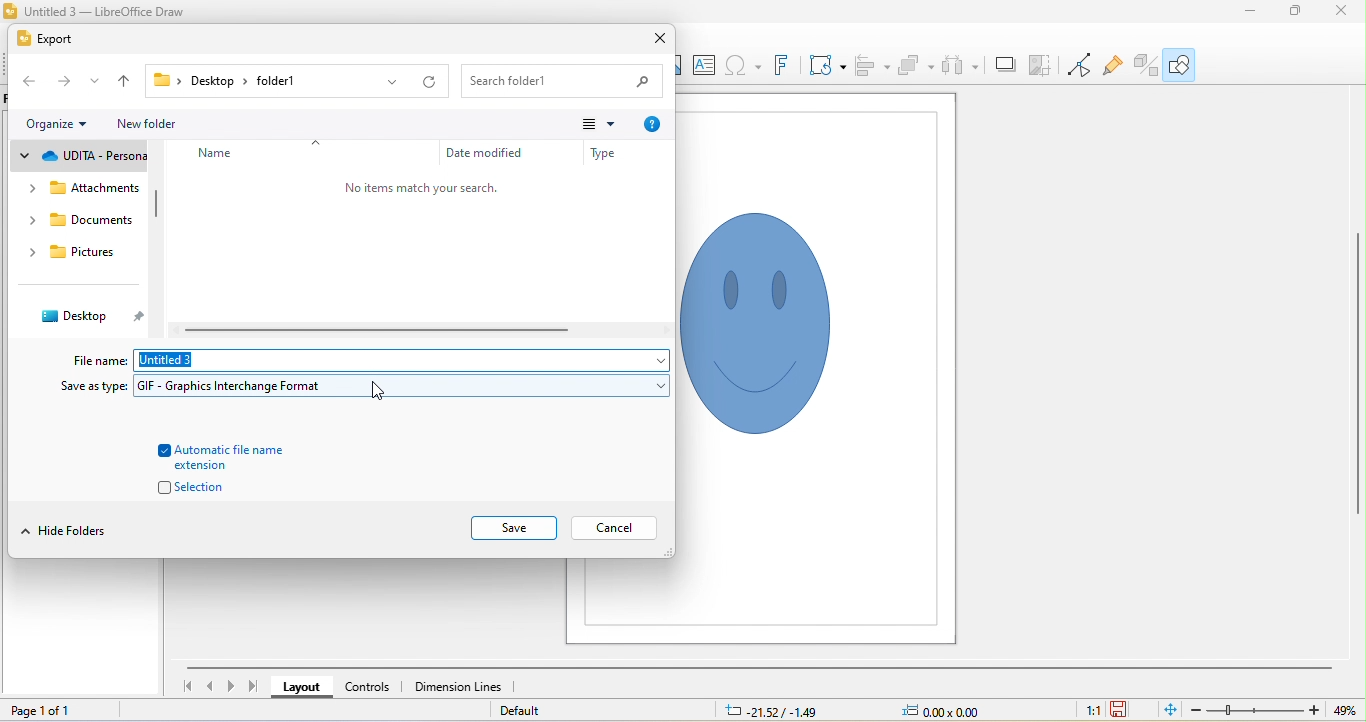  Describe the element at coordinates (654, 125) in the screenshot. I see `help` at that location.